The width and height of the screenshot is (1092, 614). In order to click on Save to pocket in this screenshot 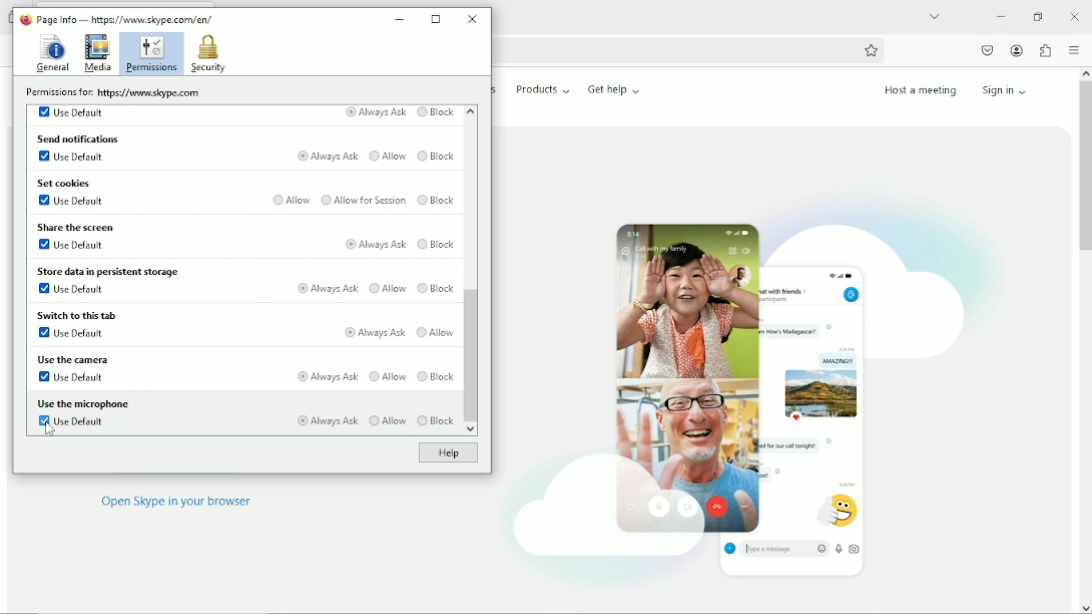, I will do `click(986, 50)`.